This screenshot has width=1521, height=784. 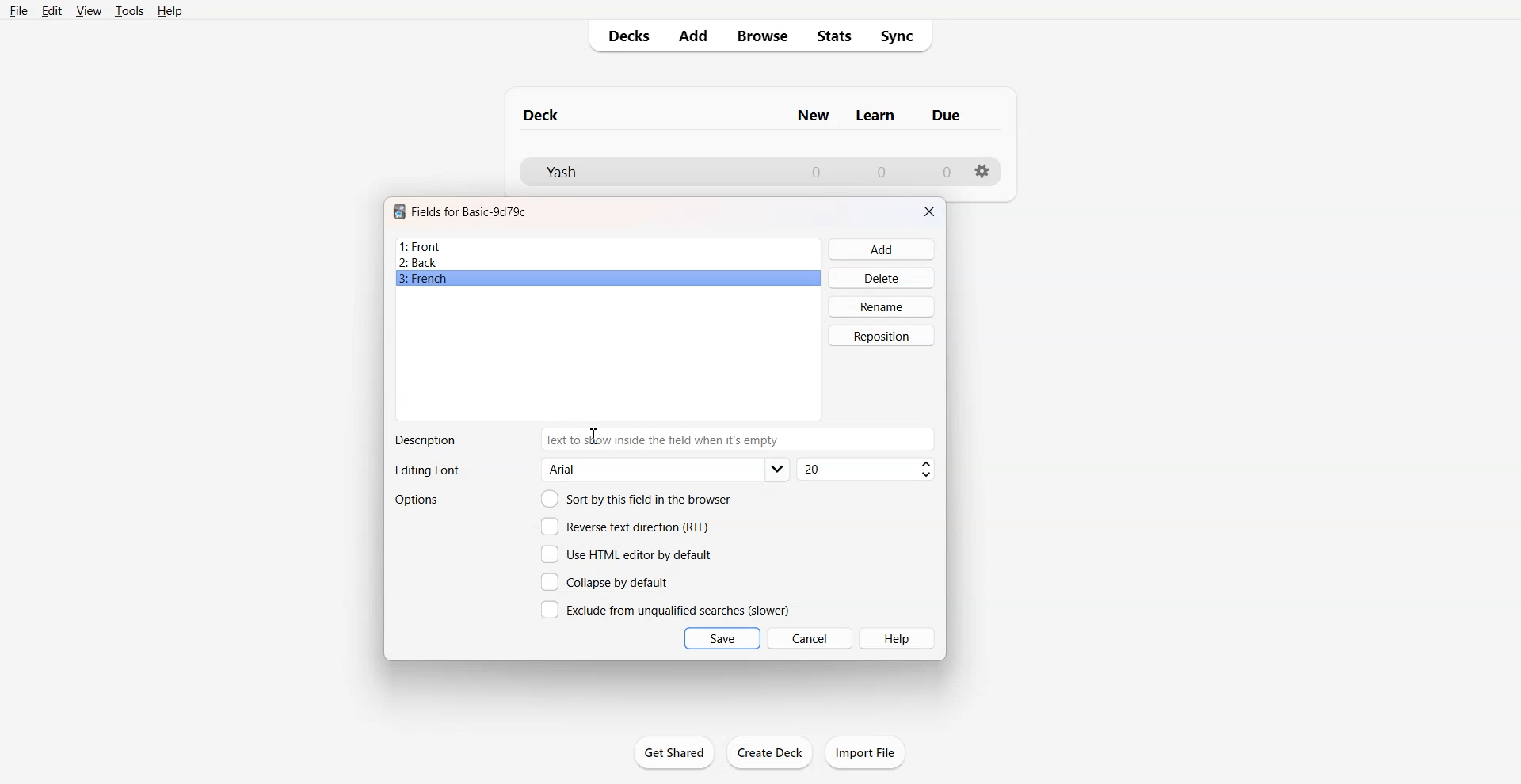 I want to click on Settings, so click(x=983, y=171).